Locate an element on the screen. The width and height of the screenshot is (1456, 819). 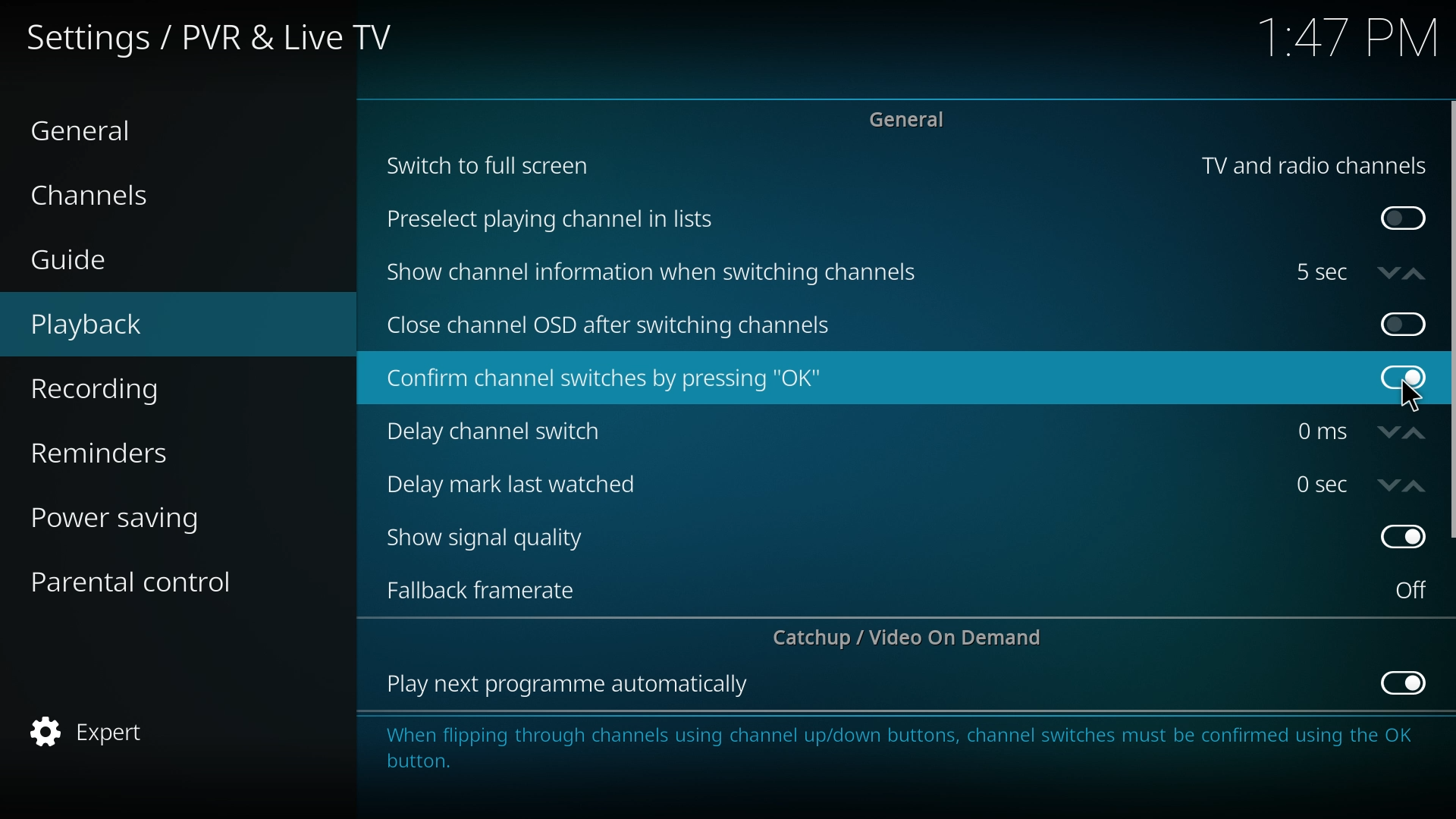
settings/pvr and live tv is located at coordinates (221, 36).